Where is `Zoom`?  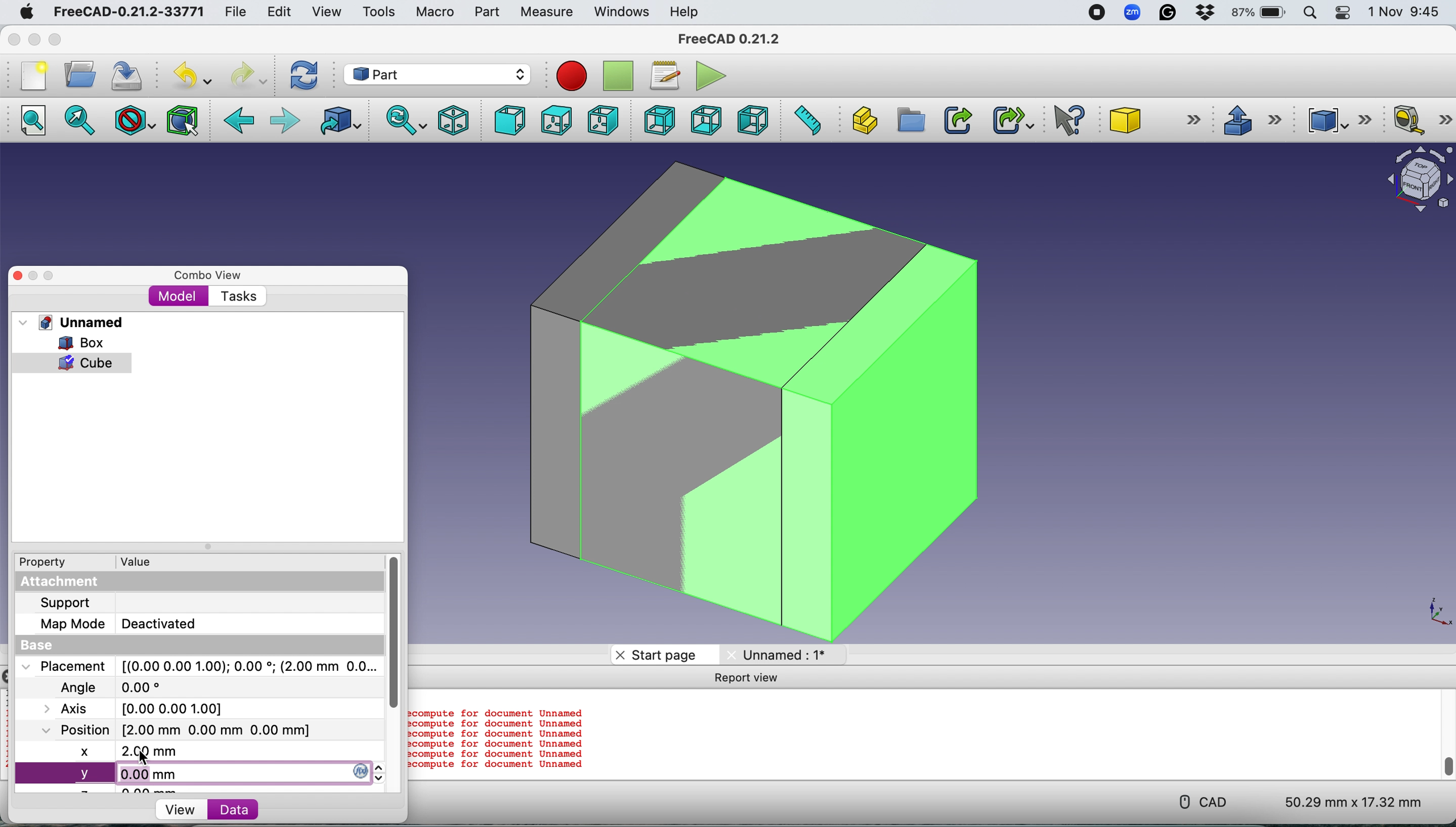
Zoom is located at coordinates (1133, 14).